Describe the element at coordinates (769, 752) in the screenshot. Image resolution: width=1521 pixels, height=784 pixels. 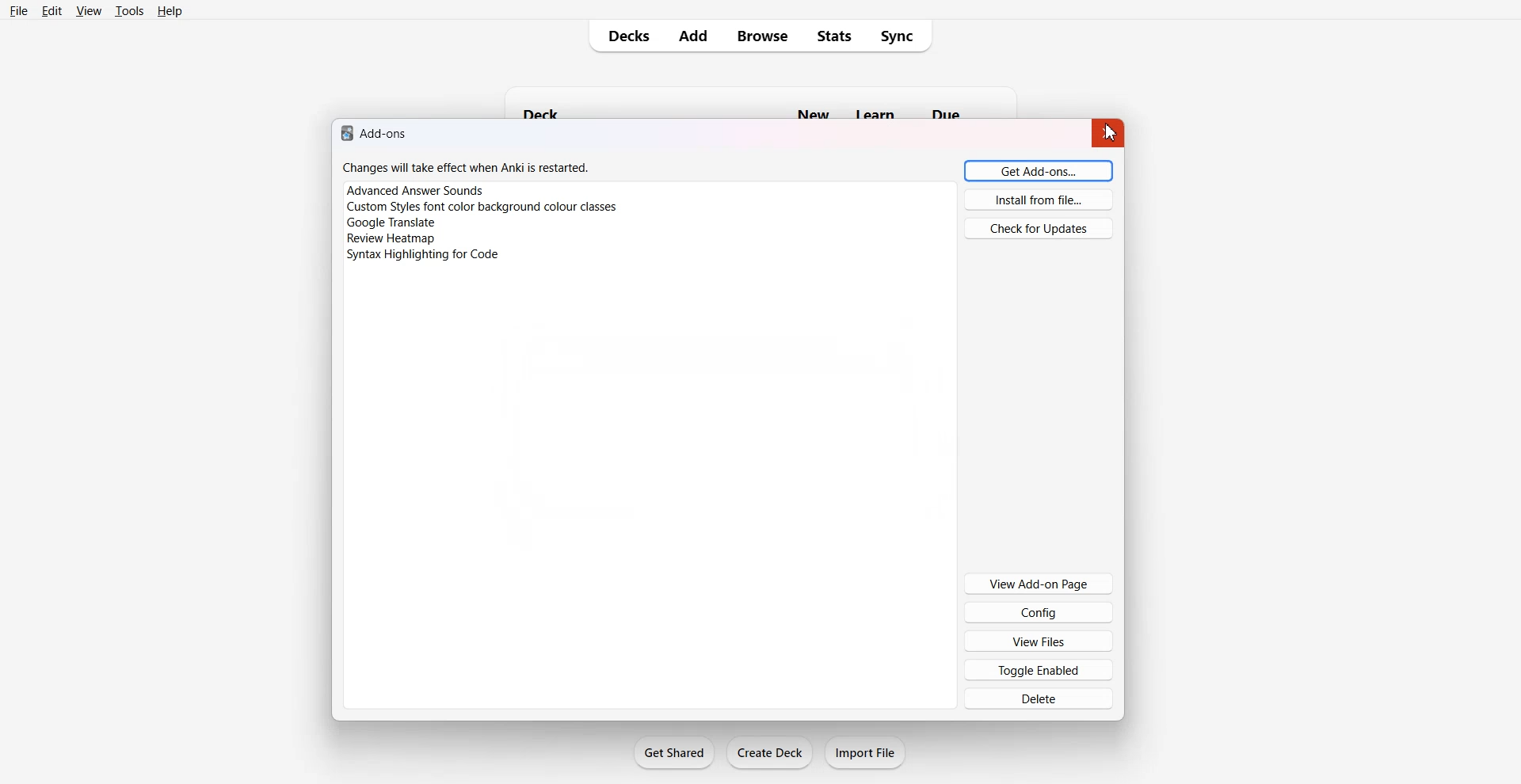
I see `Create Deck` at that location.